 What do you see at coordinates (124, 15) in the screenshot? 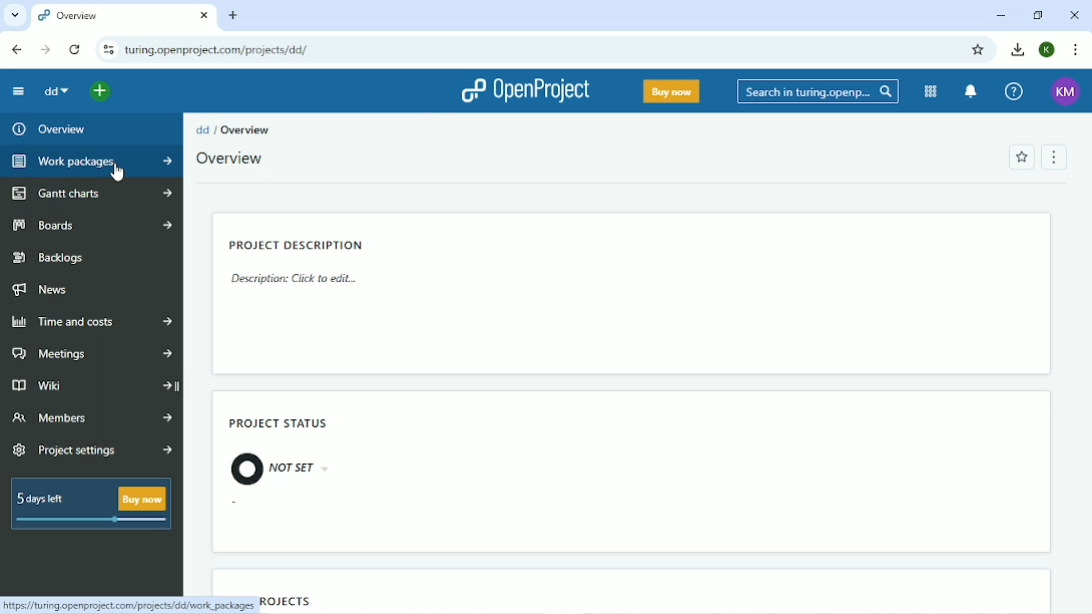
I see `Current tab` at bounding box center [124, 15].